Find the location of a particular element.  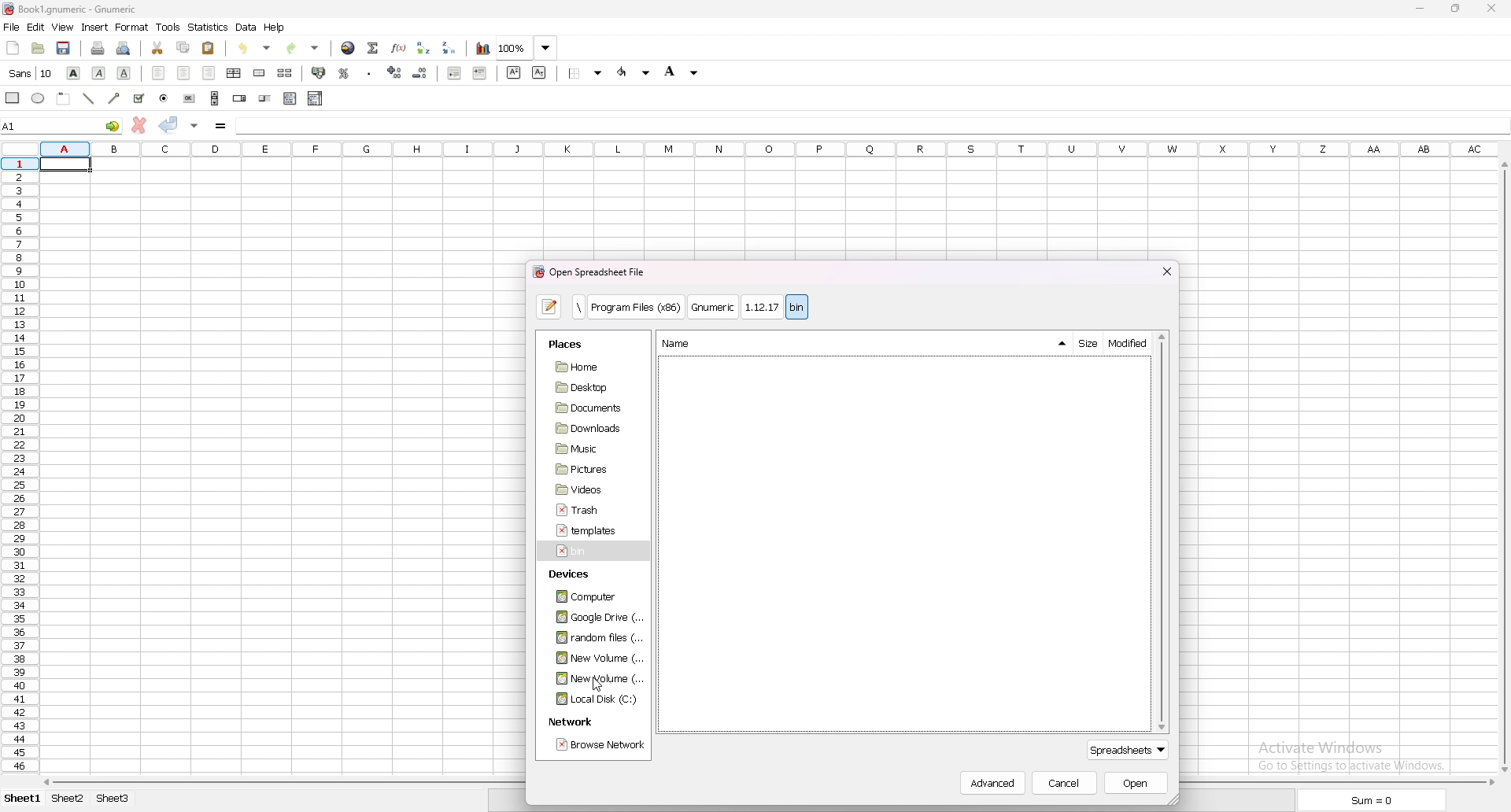

italic is located at coordinates (99, 73).